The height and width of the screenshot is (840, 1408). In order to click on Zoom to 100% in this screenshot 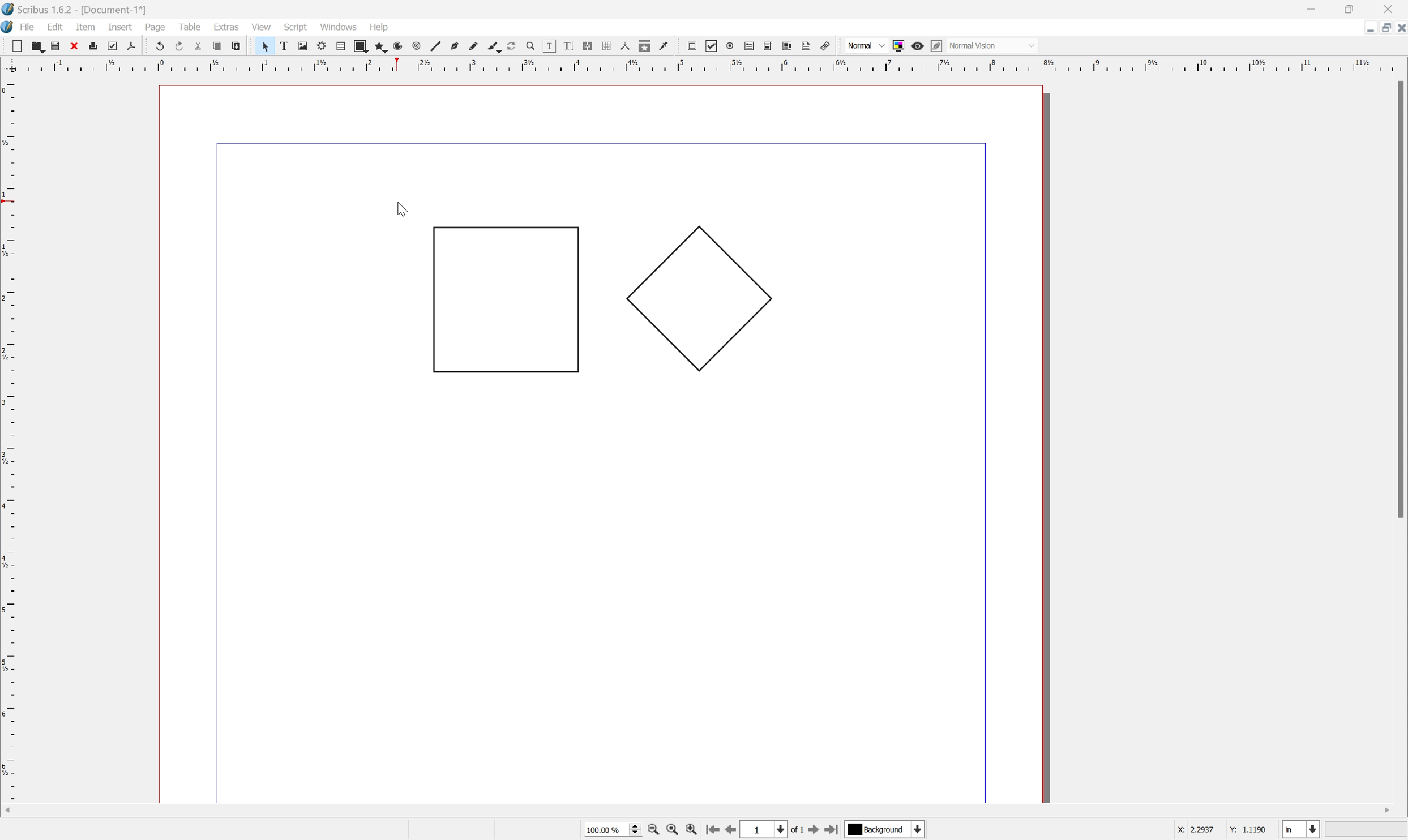, I will do `click(670, 832)`.